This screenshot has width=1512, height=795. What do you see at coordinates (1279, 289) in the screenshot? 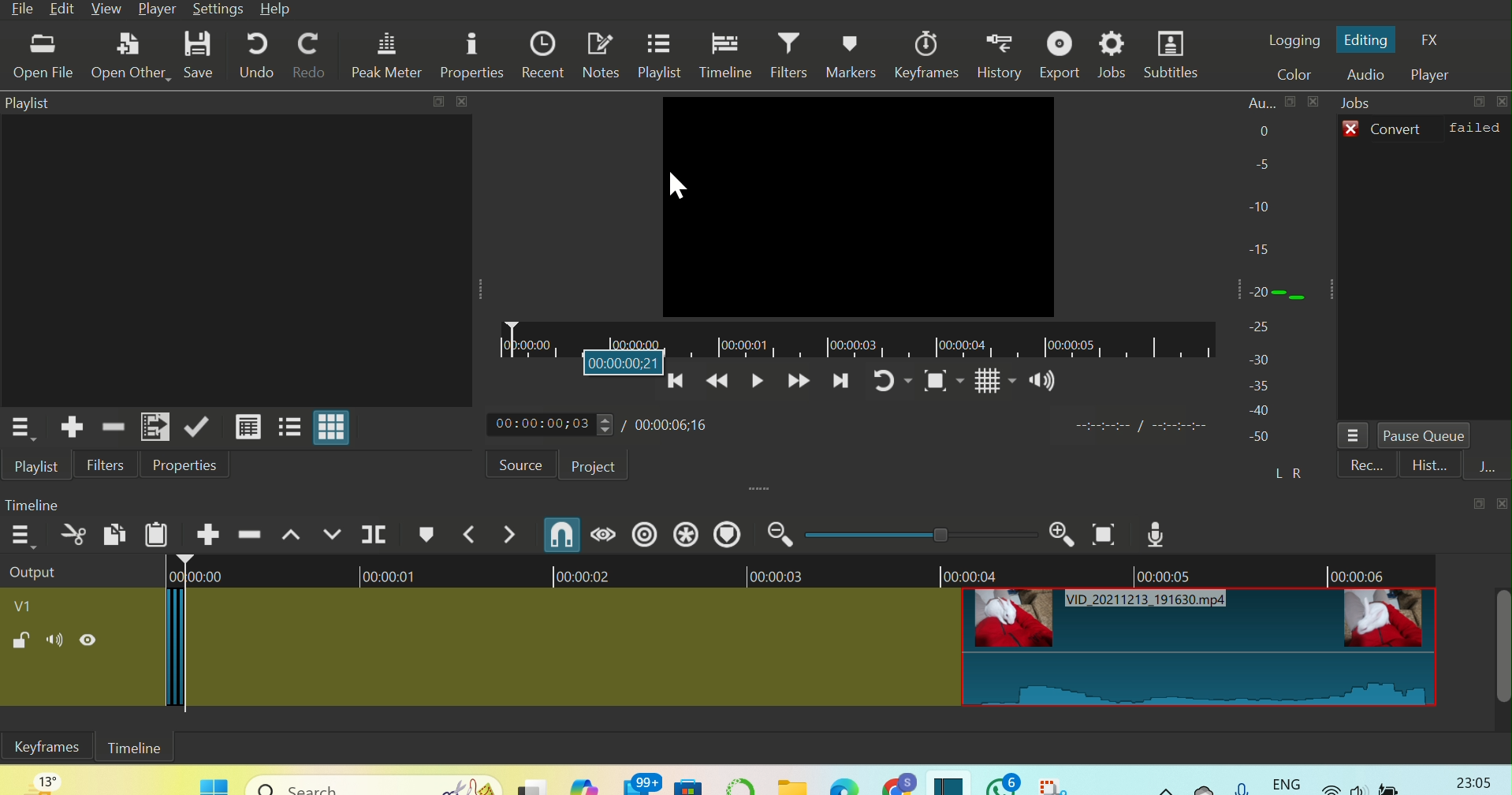
I see `Audio bar` at bounding box center [1279, 289].